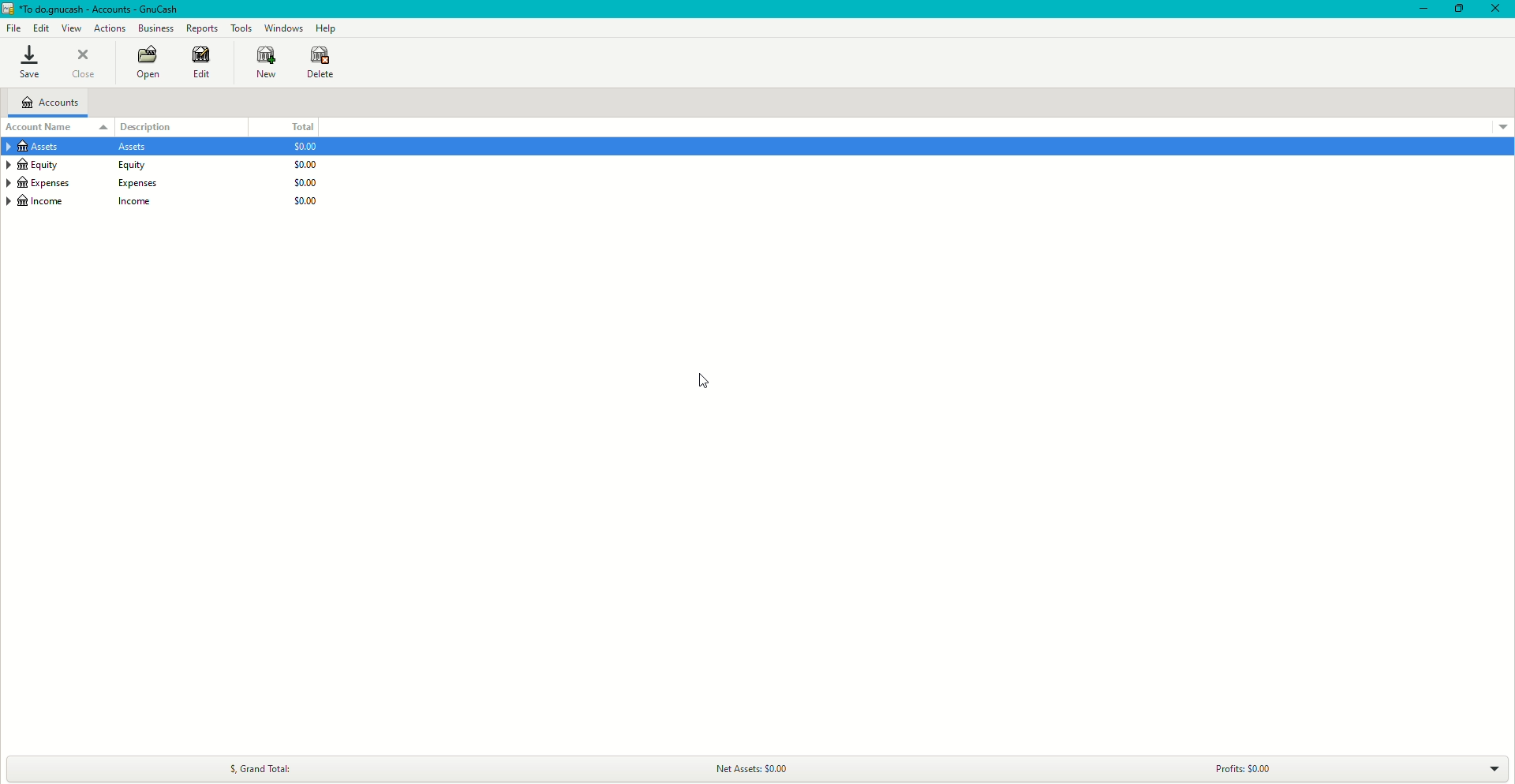 Image resolution: width=1515 pixels, height=784 pixels. What do you see at coordinates (1240, 768) in the screenshot?
I see `Profits` at bounding box center [1240, 768].